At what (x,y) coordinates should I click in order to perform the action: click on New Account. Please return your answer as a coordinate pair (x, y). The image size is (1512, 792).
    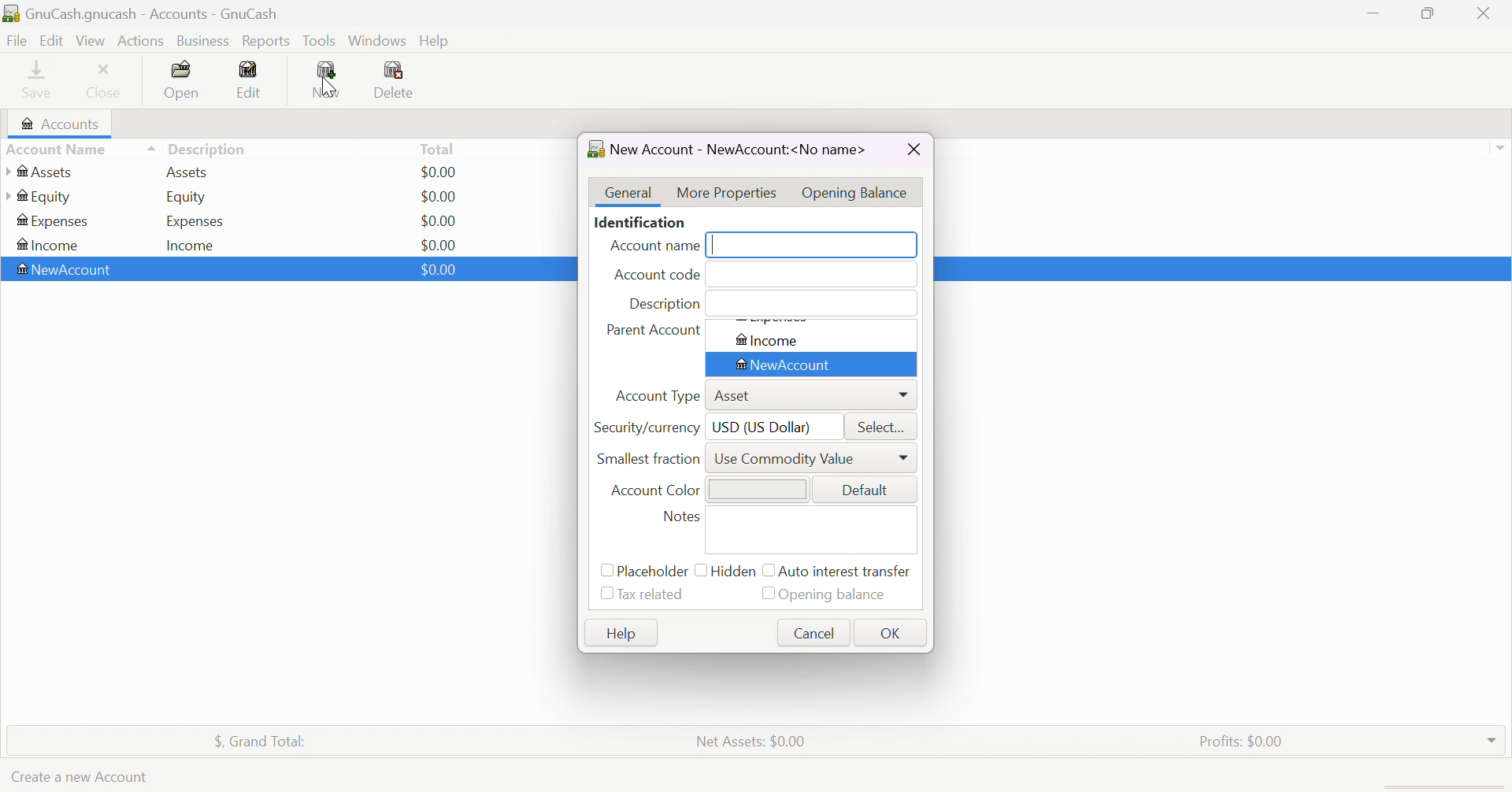
    Looking at the image, I should click on (786, 365).